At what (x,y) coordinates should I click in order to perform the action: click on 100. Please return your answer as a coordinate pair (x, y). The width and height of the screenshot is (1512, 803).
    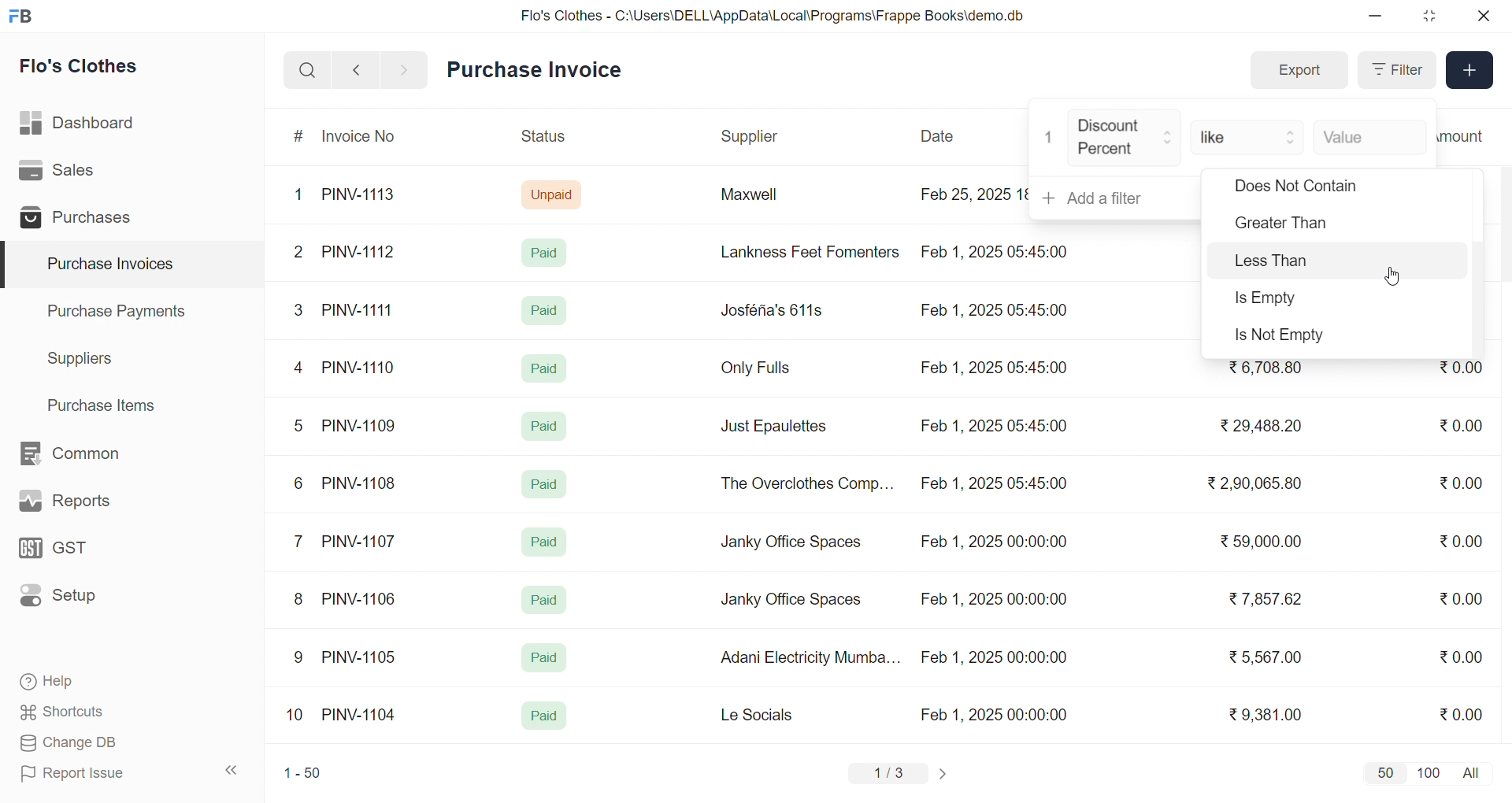
    Looking at the image, I should click on (1426, 772).